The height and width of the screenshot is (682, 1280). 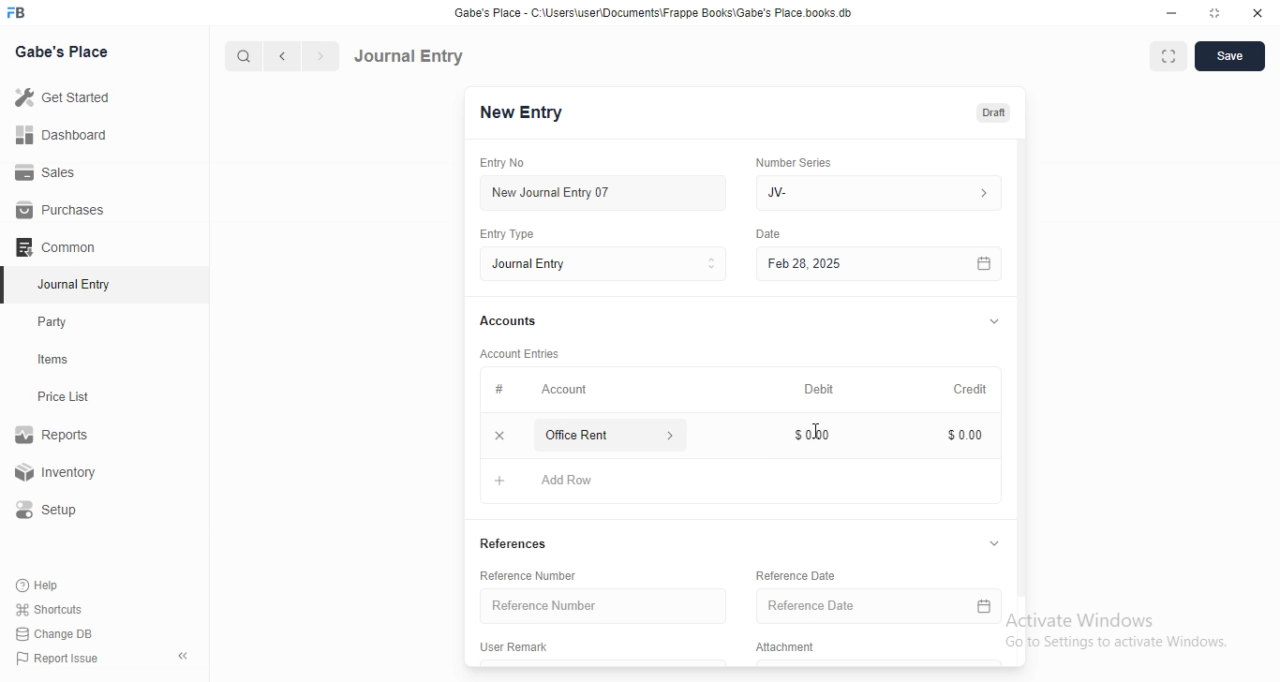 I want to click on Reference Date , so click(x=881, y=605).